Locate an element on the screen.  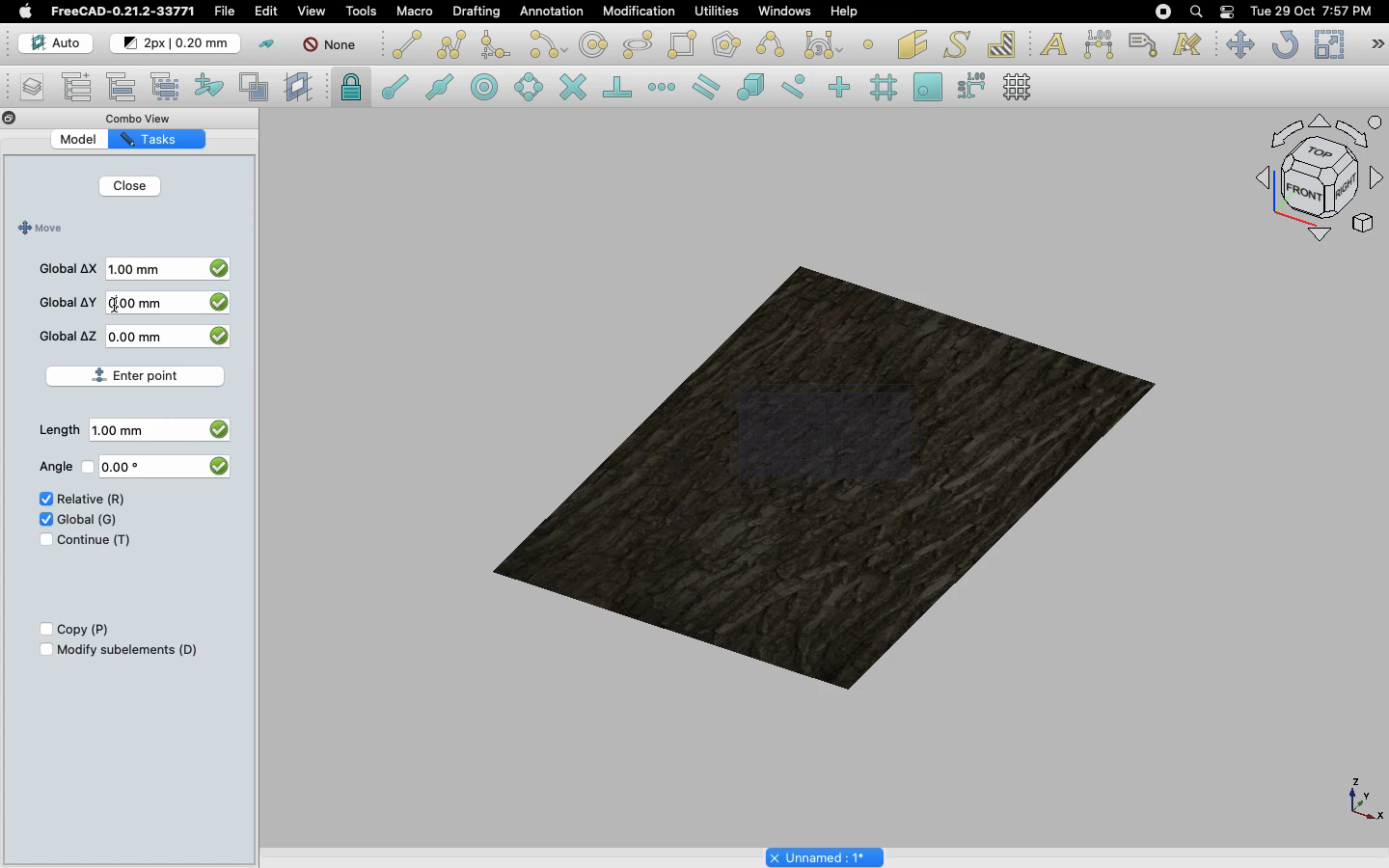
Snap special  is located at coordinates (754, 89).